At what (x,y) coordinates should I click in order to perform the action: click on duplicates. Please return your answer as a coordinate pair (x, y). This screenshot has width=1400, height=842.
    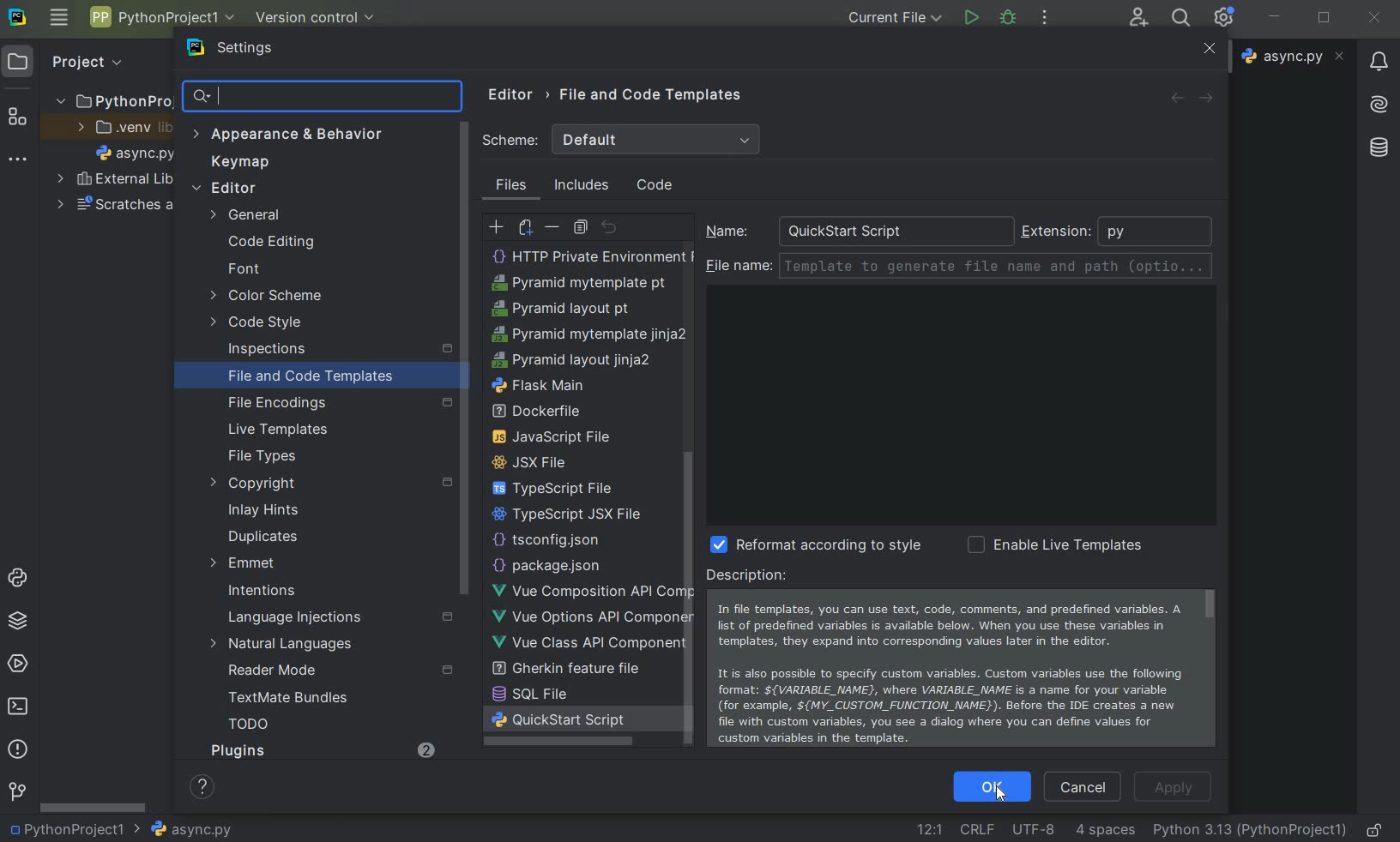
    Looking at the image, I should click on (273, 538).